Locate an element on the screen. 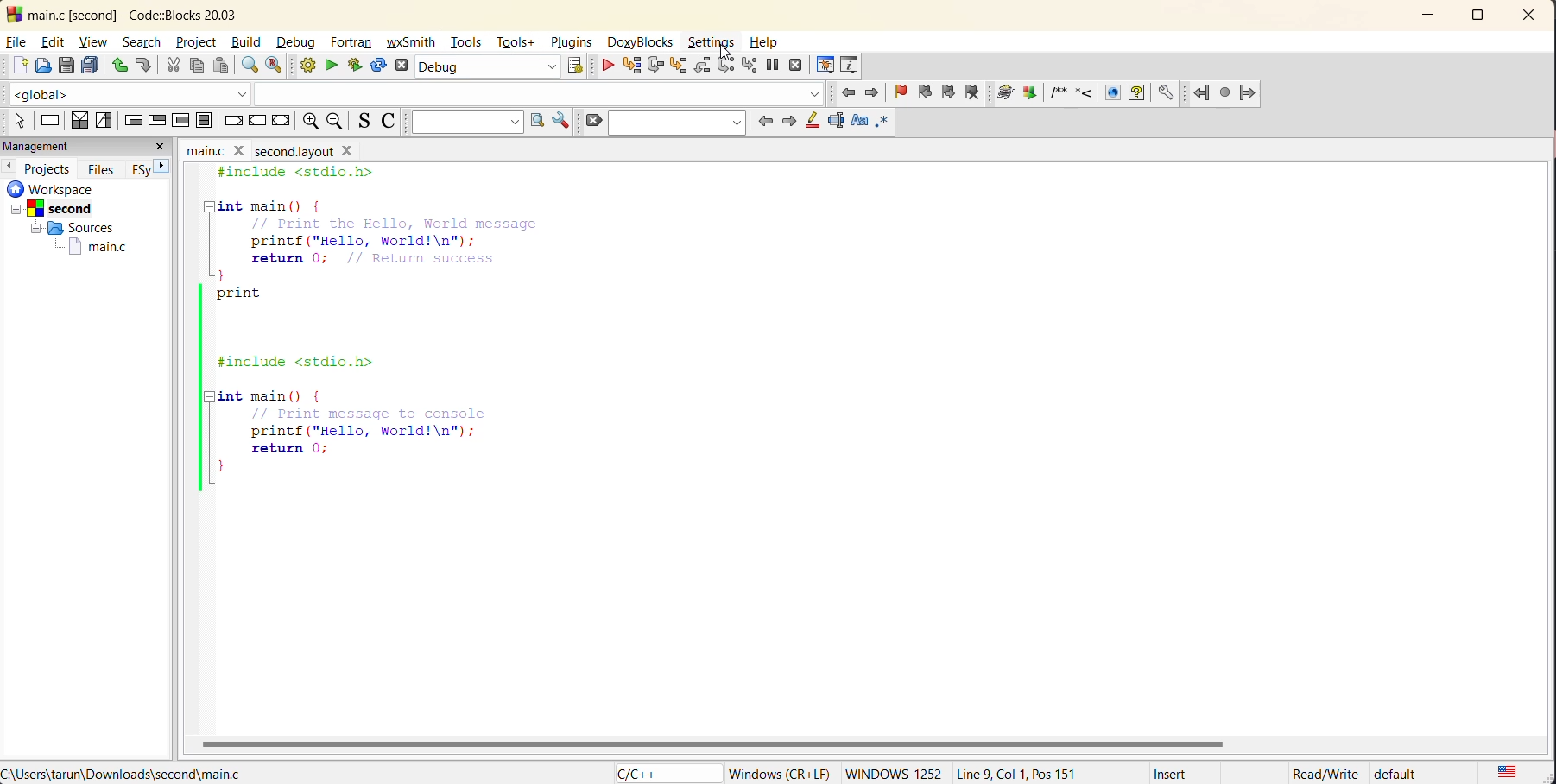 This screenshot has height=784, width=1556. build is located at coordinates (312, 68).